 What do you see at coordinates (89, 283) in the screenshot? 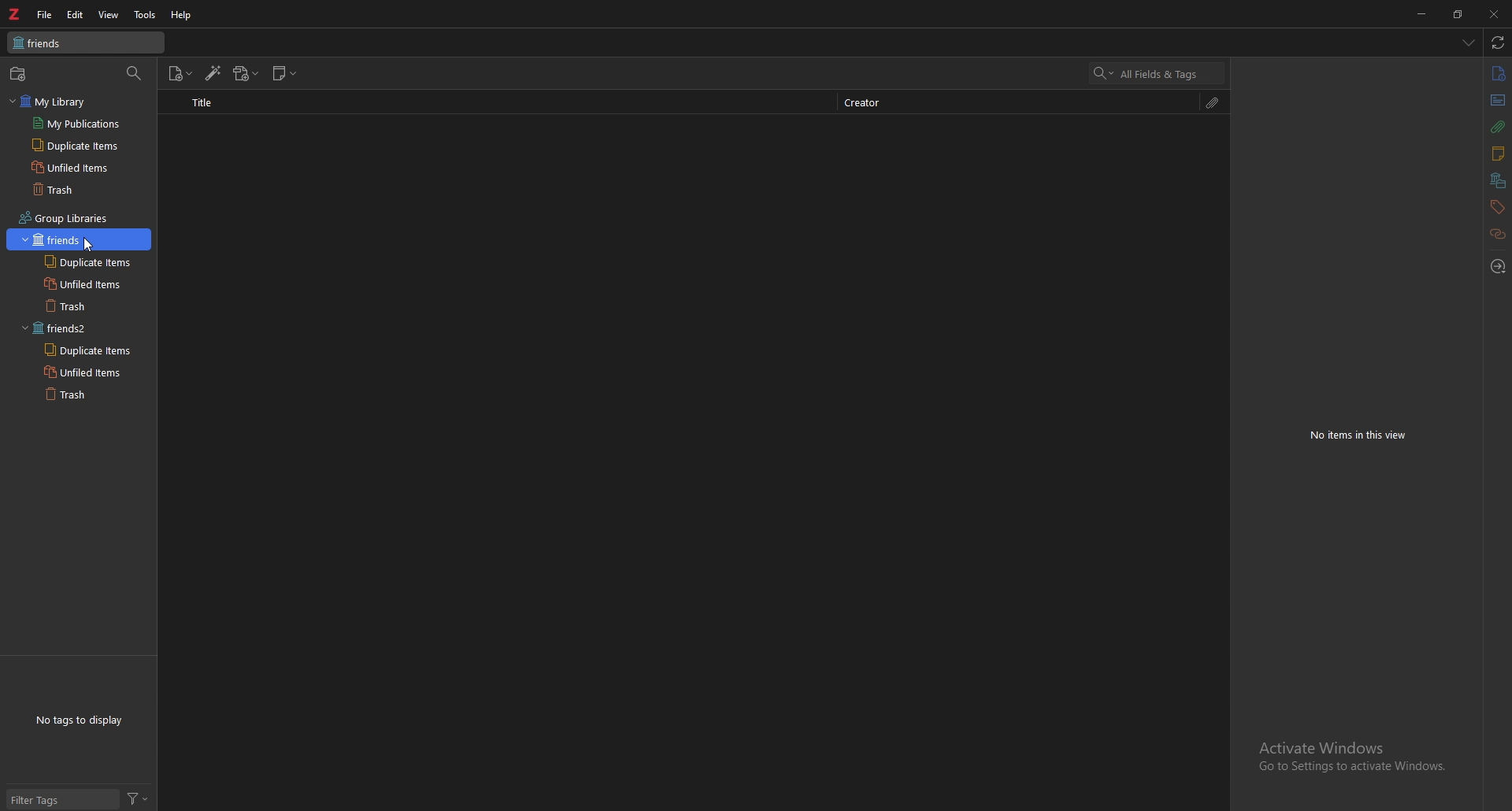
I see `unfiled items` at bounding box center [89, 283].